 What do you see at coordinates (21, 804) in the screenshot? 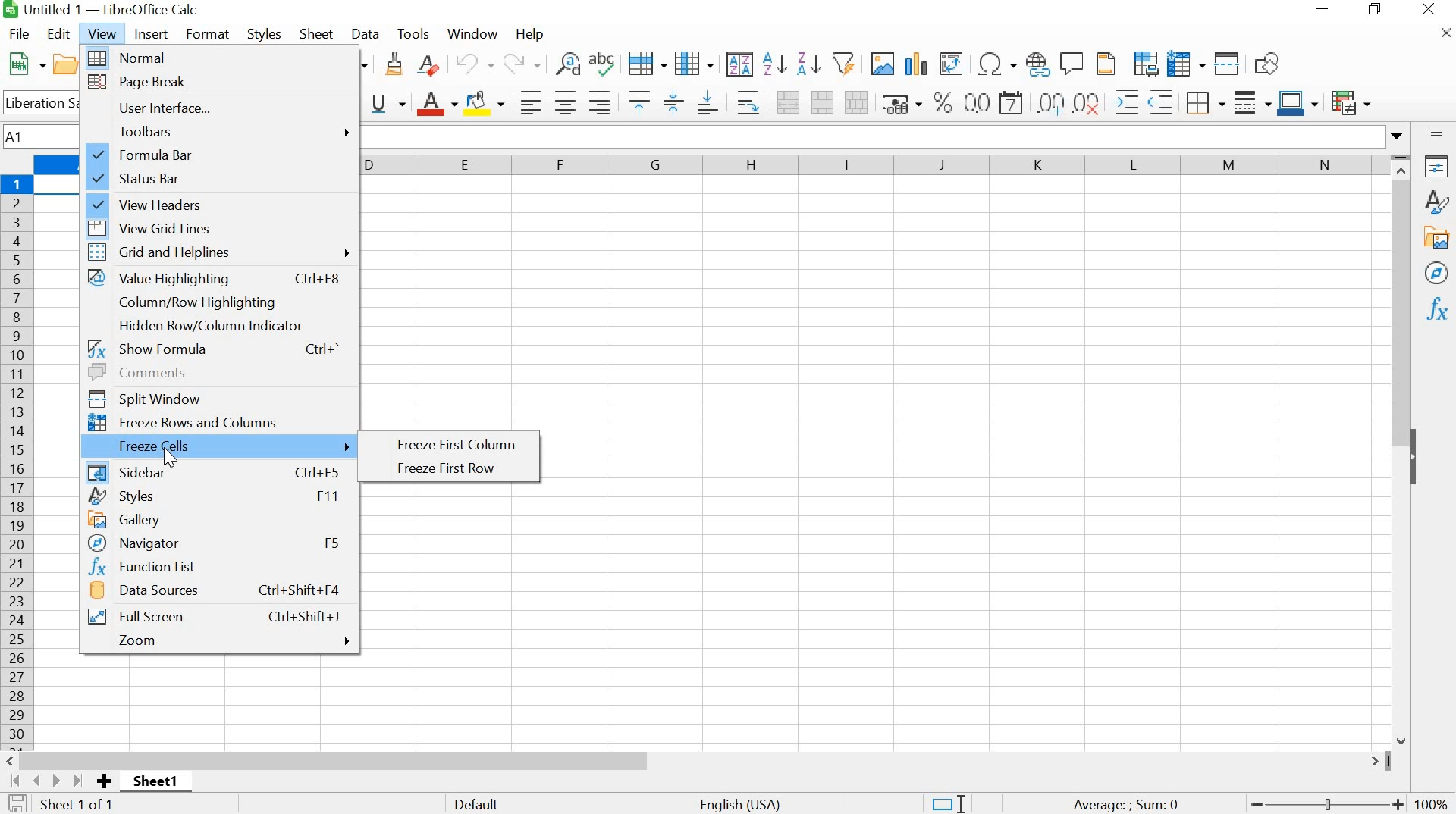
I see `SAVE DOCUMENT` at bounding box center [21, 804].